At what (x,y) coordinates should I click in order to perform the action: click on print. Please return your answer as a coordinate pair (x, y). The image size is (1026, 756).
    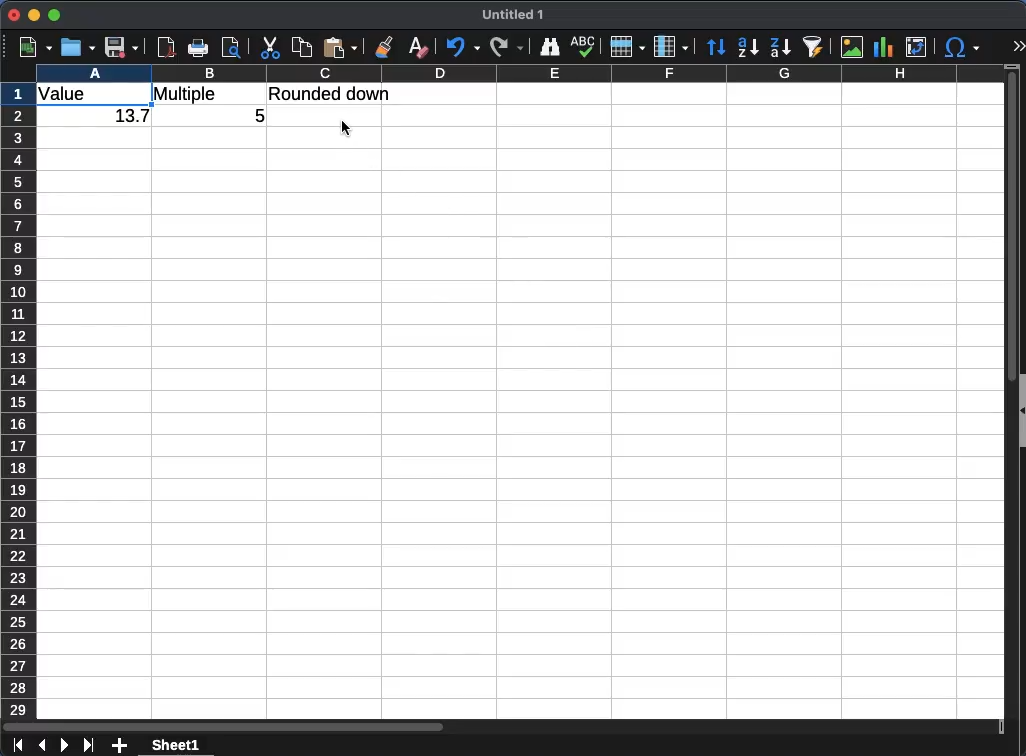
    Looking at the image, I should click on (198, 47).